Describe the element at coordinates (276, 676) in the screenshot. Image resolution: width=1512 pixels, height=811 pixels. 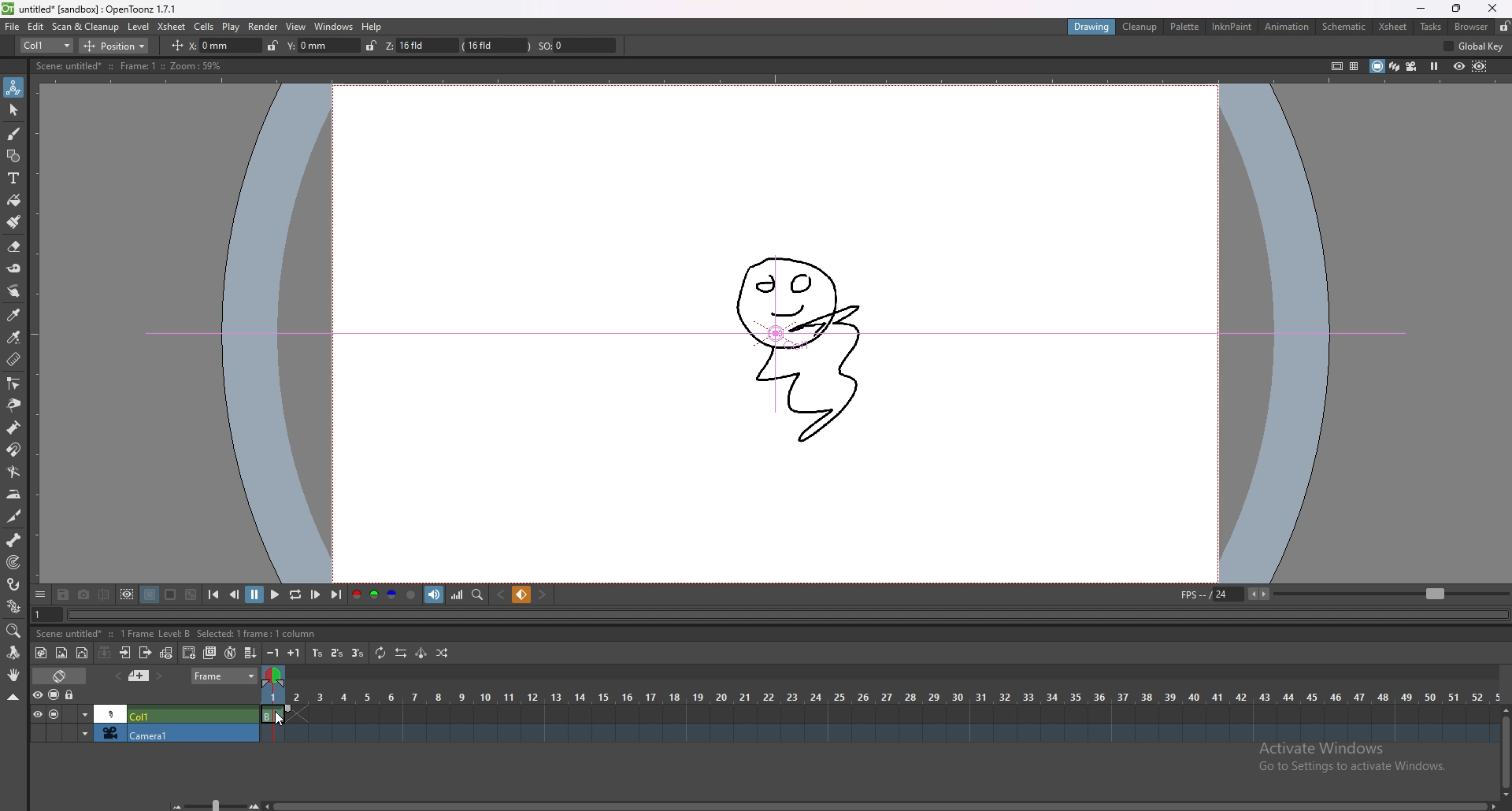
I see `frame selector` at that location.